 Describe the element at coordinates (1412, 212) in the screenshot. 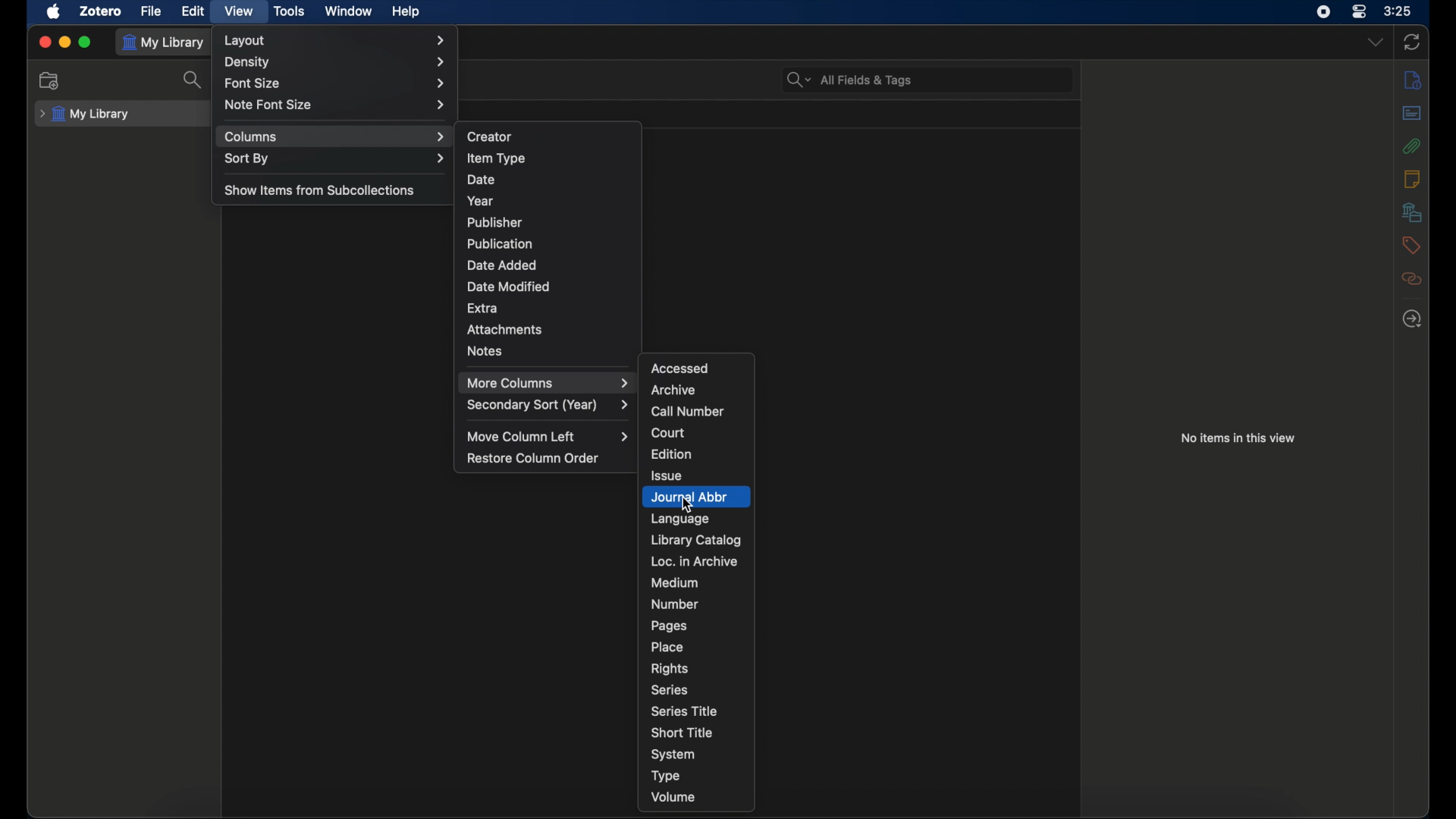

I see `libraries` at that location.